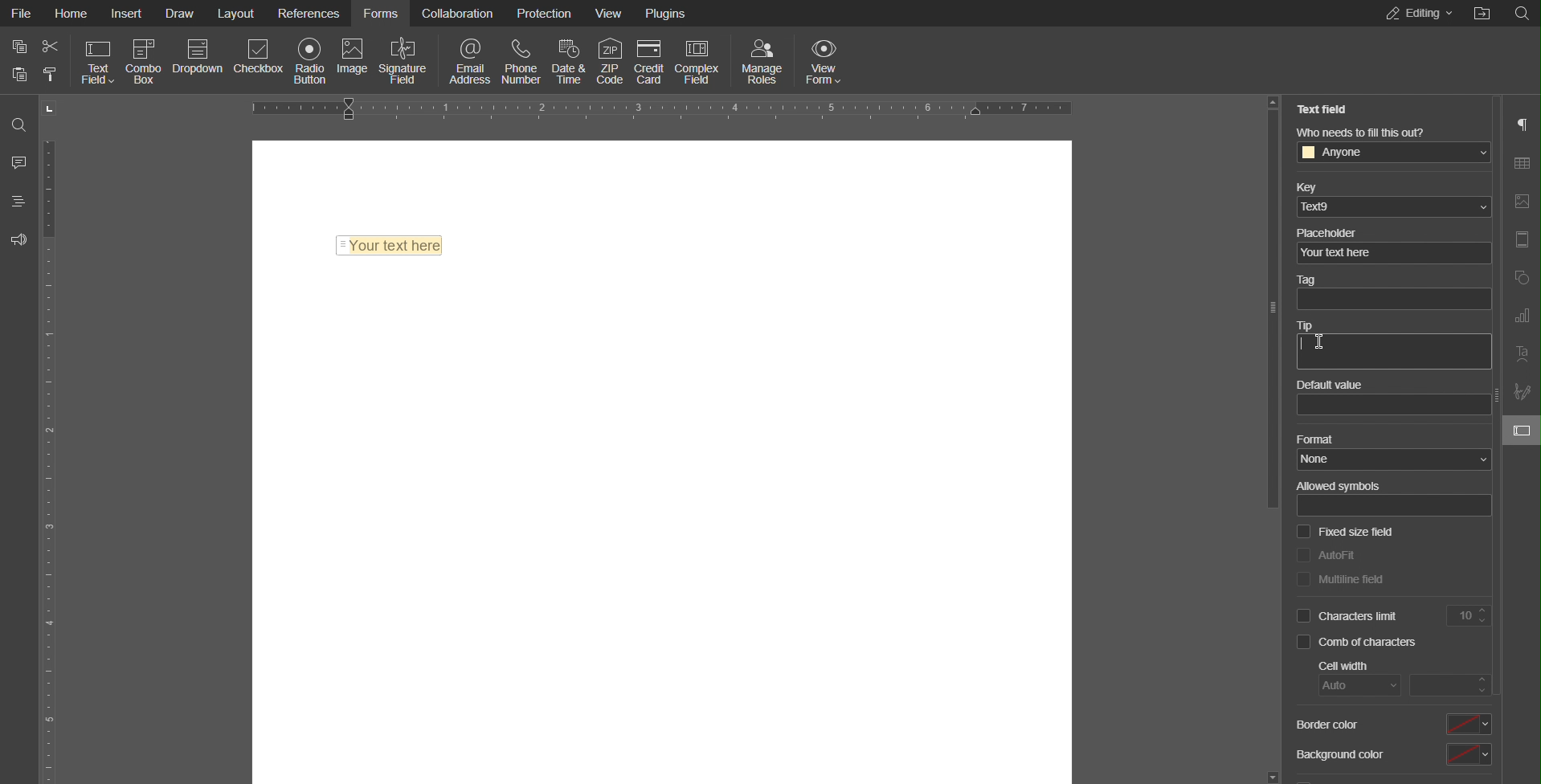 This screenshot has width=1541, height=784. What do you see at coordinates (524, 59) in the screenshot?
I see `Phone Number` at bounding box center [524, 59].